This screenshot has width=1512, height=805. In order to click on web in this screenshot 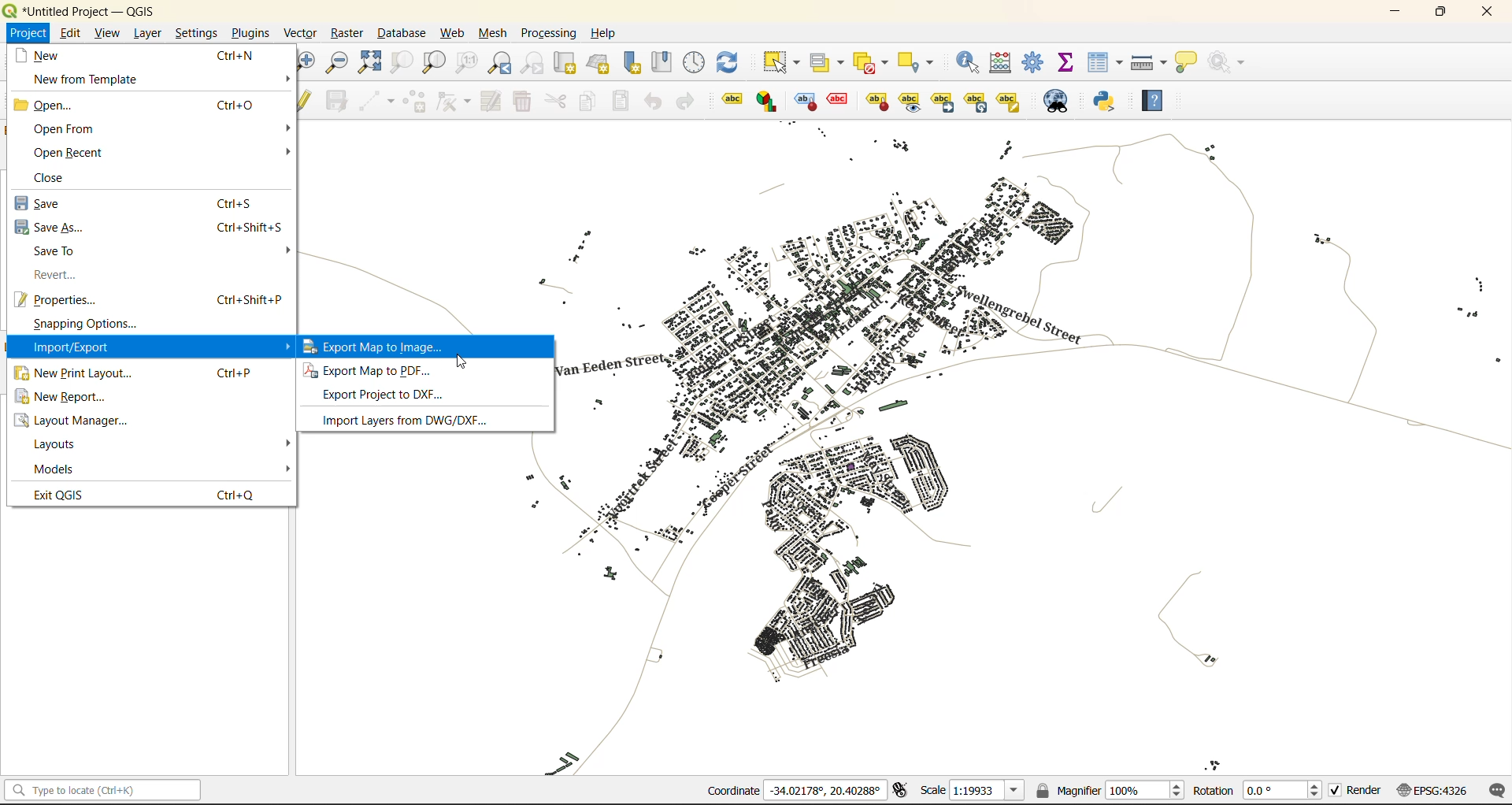, I will do `click(452, 35)`.